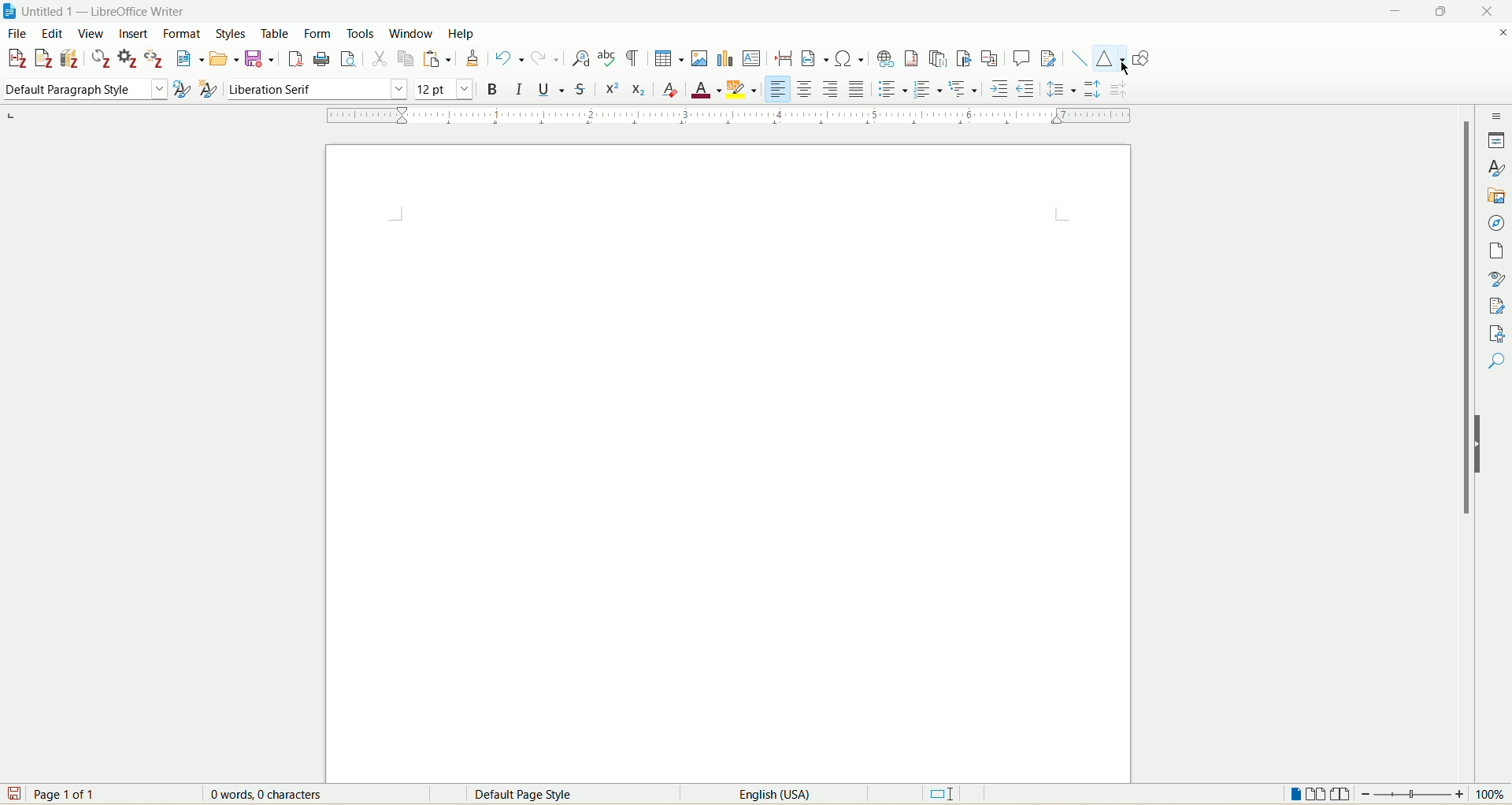 The image size is (1512, 805). What do you see at coordinates (10, 10) in the screenshot?
I see `application icon` at bounding box center [10, 10].